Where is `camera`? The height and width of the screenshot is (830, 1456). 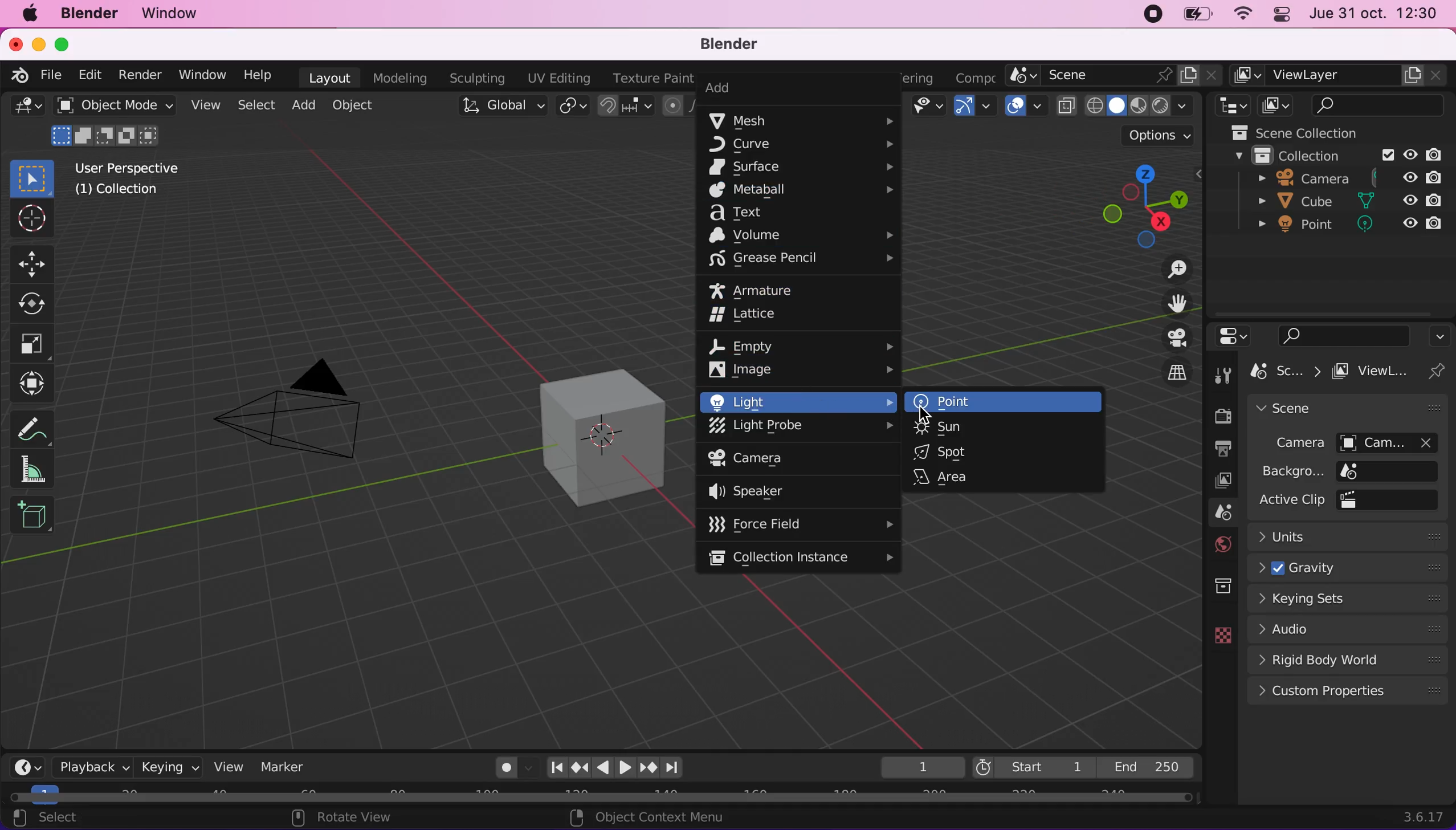 camera is located at coordinates (766, 458).